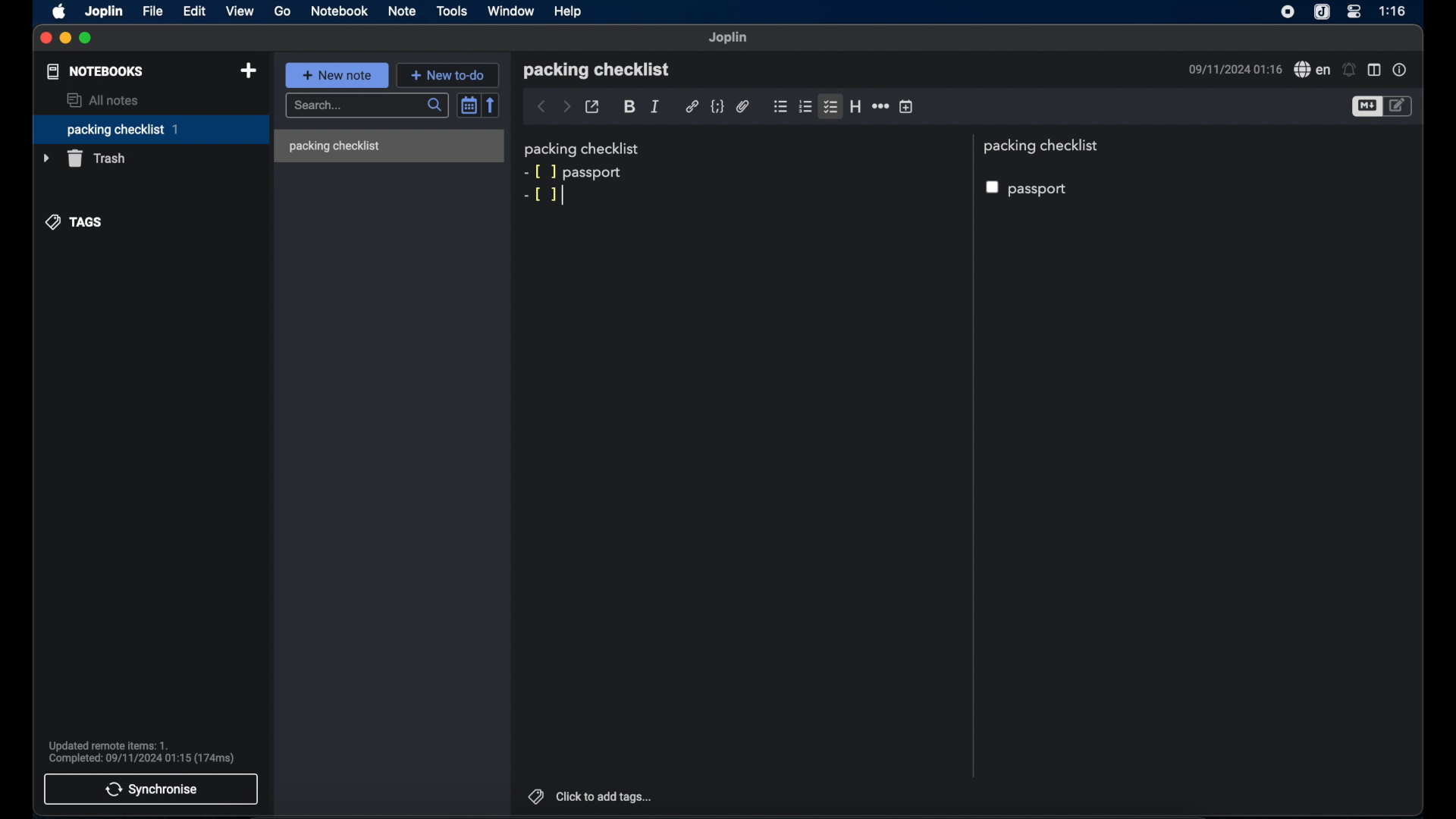  I want to click on markdown syntax, so click(541, 195).